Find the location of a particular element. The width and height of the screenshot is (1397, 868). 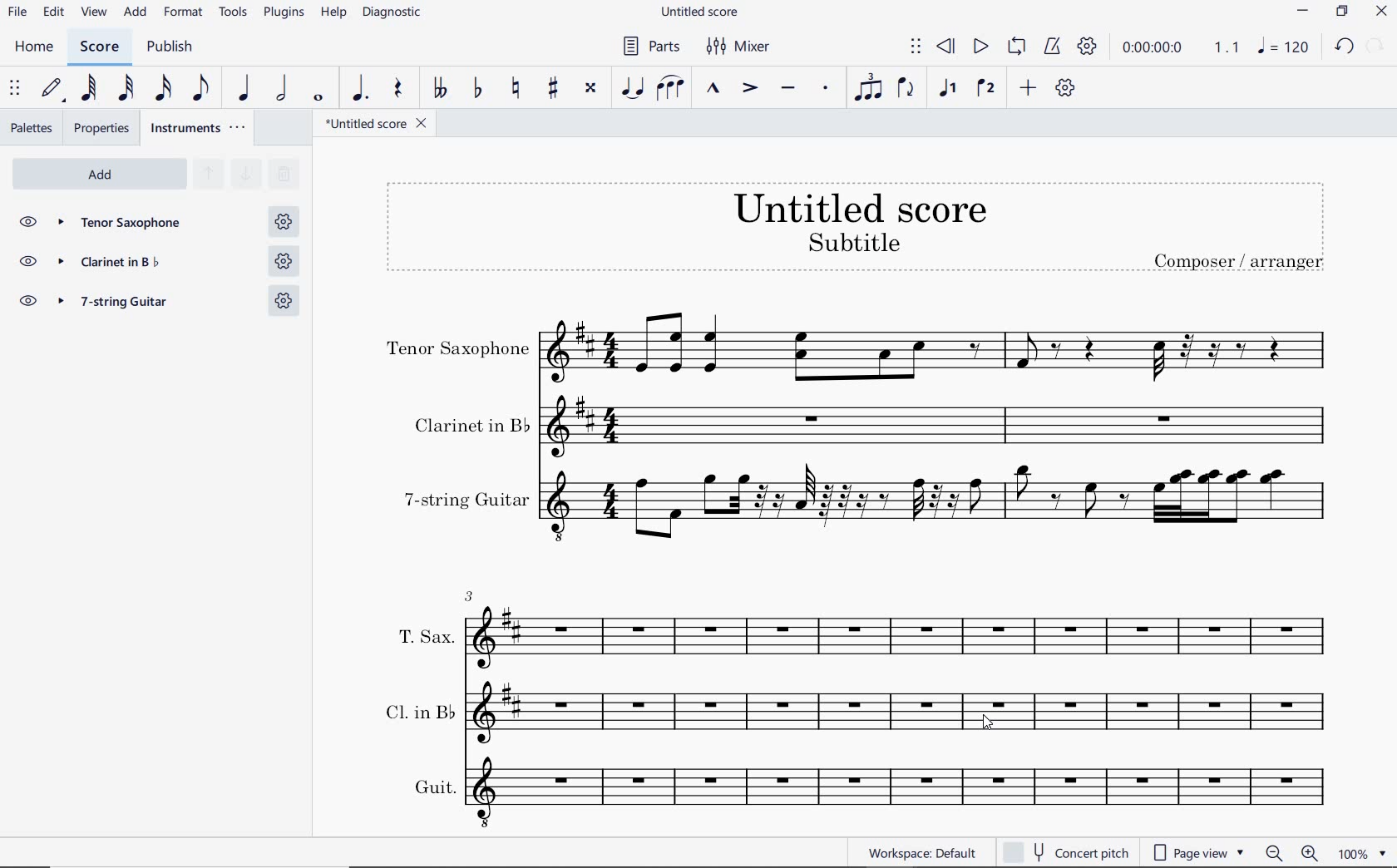

CLOSE is located at coordinates (1381, 12).